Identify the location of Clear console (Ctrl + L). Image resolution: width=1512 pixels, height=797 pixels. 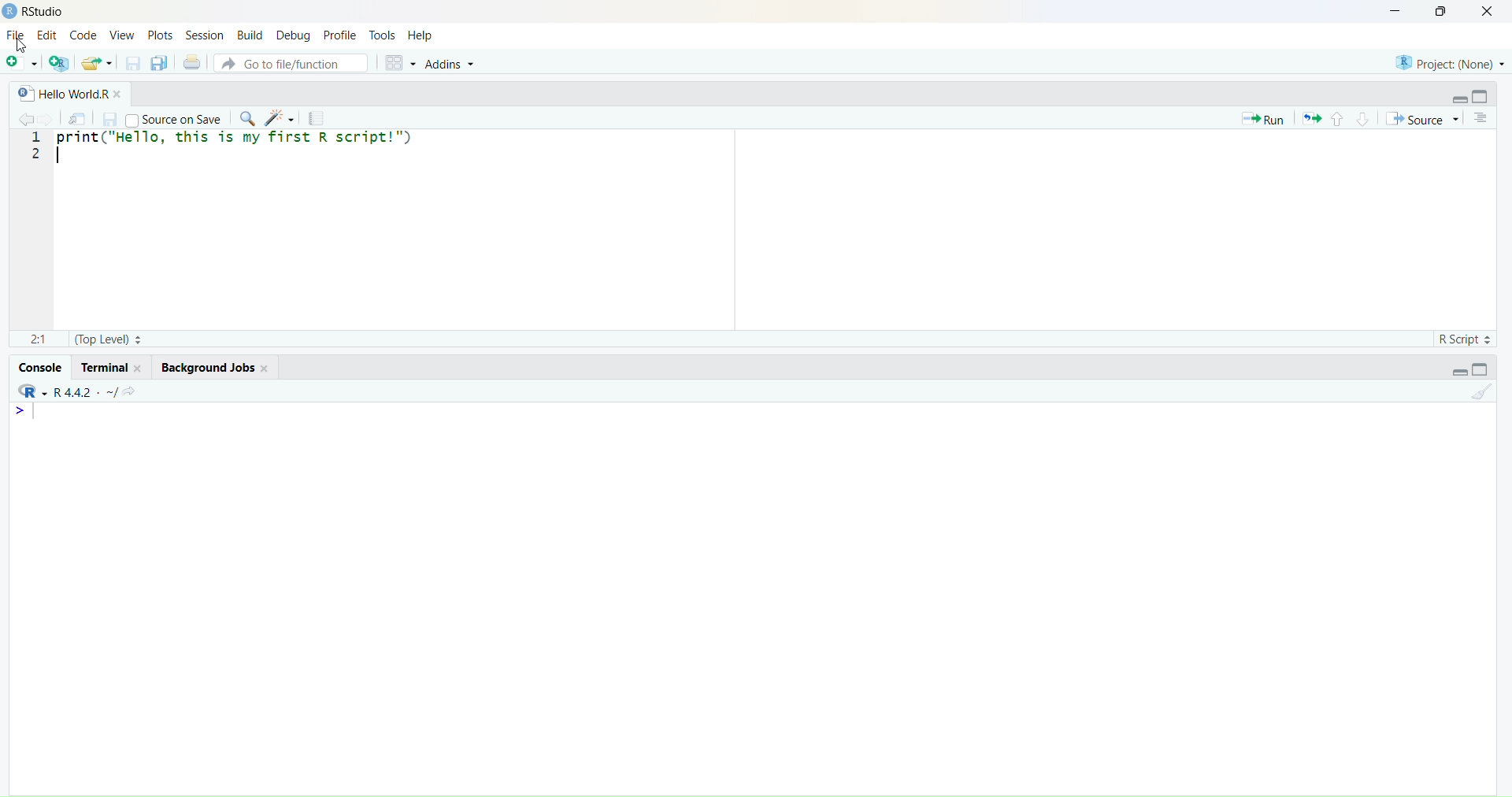
(1477, 396).